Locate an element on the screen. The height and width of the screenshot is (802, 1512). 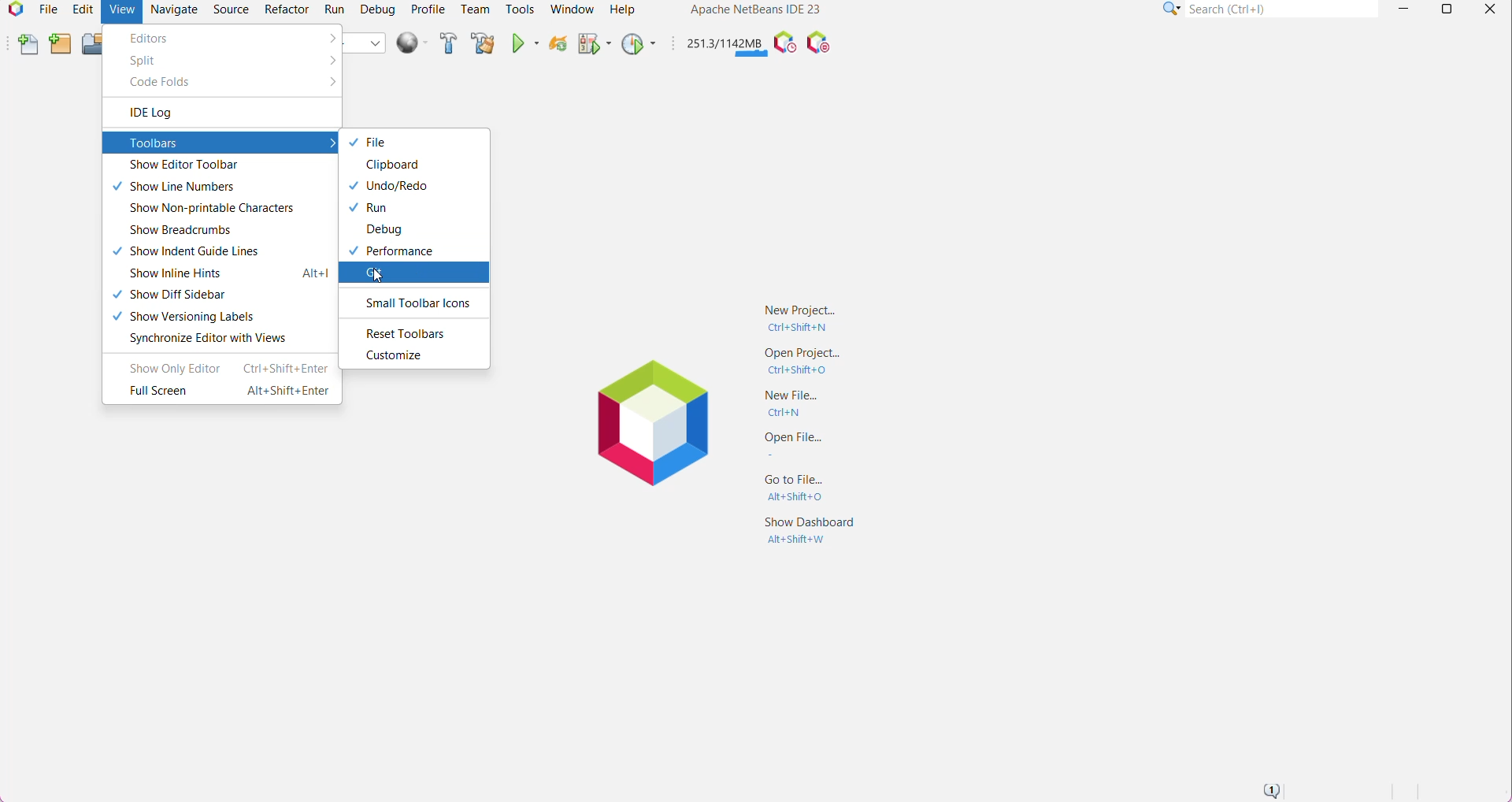
Navigate is located at coordinates (176, 9).